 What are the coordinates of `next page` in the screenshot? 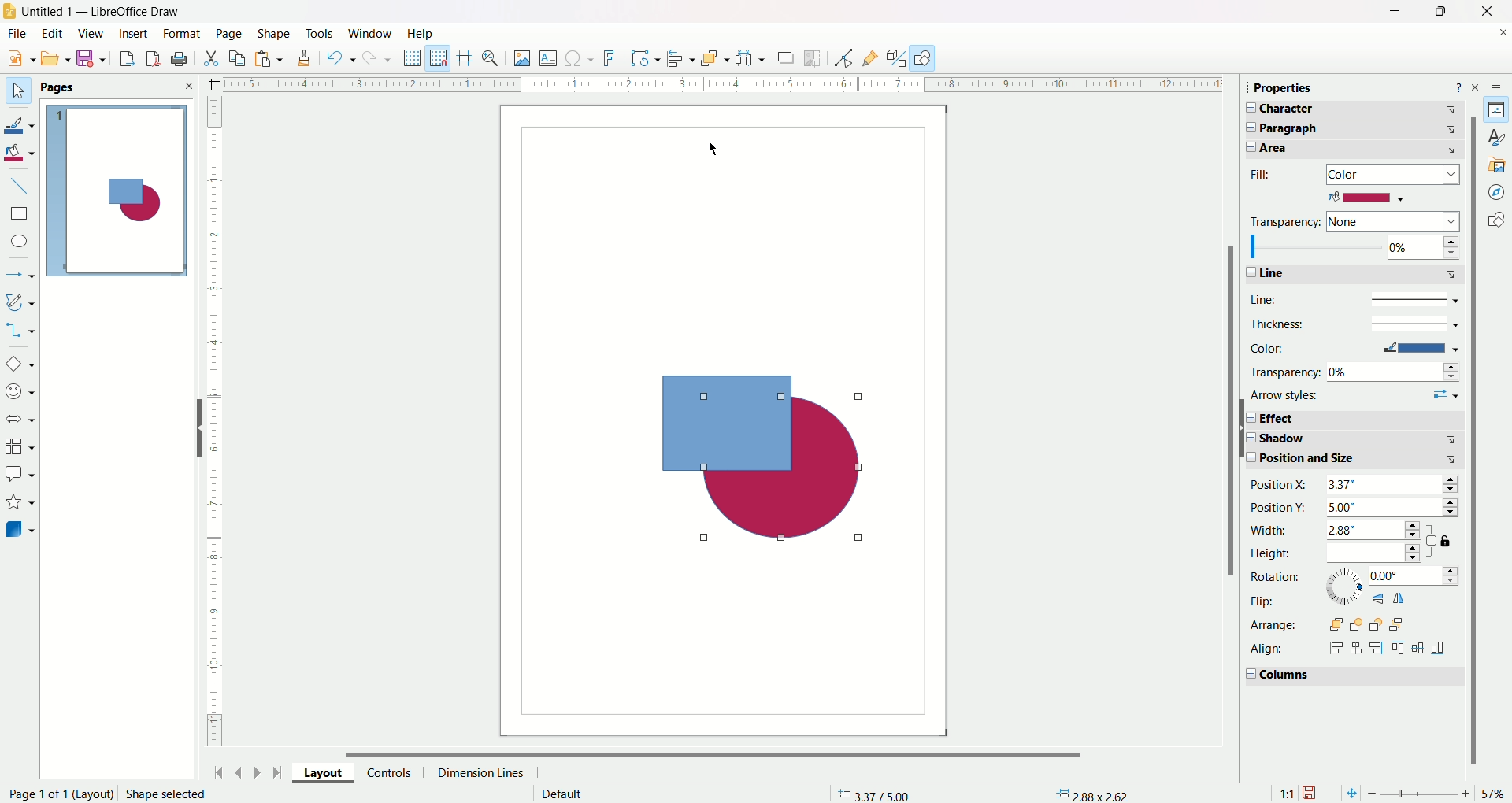 It's located at (258, 771).